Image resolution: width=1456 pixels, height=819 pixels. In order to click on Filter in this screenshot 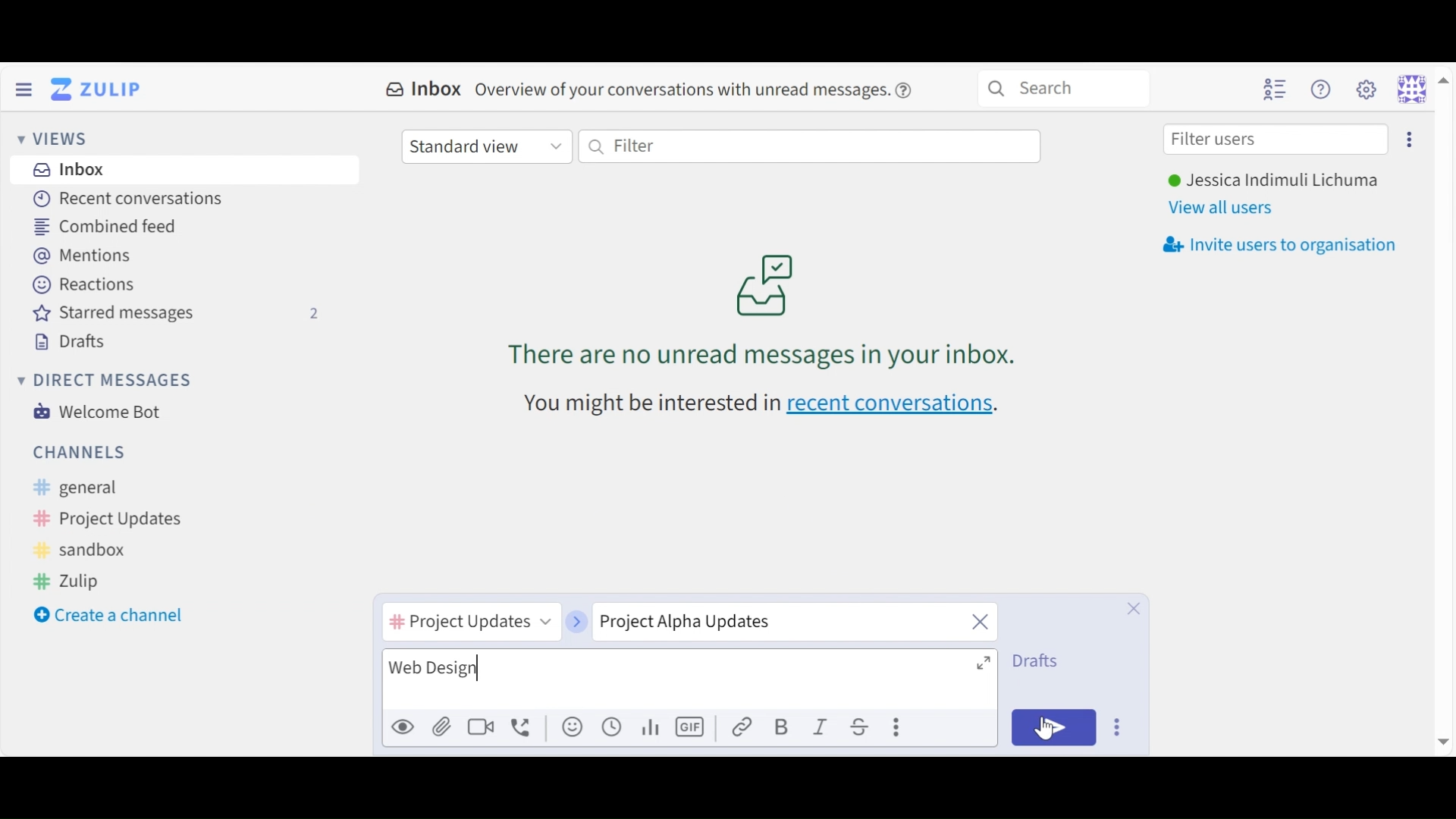, I will do `click(809, 146)`.